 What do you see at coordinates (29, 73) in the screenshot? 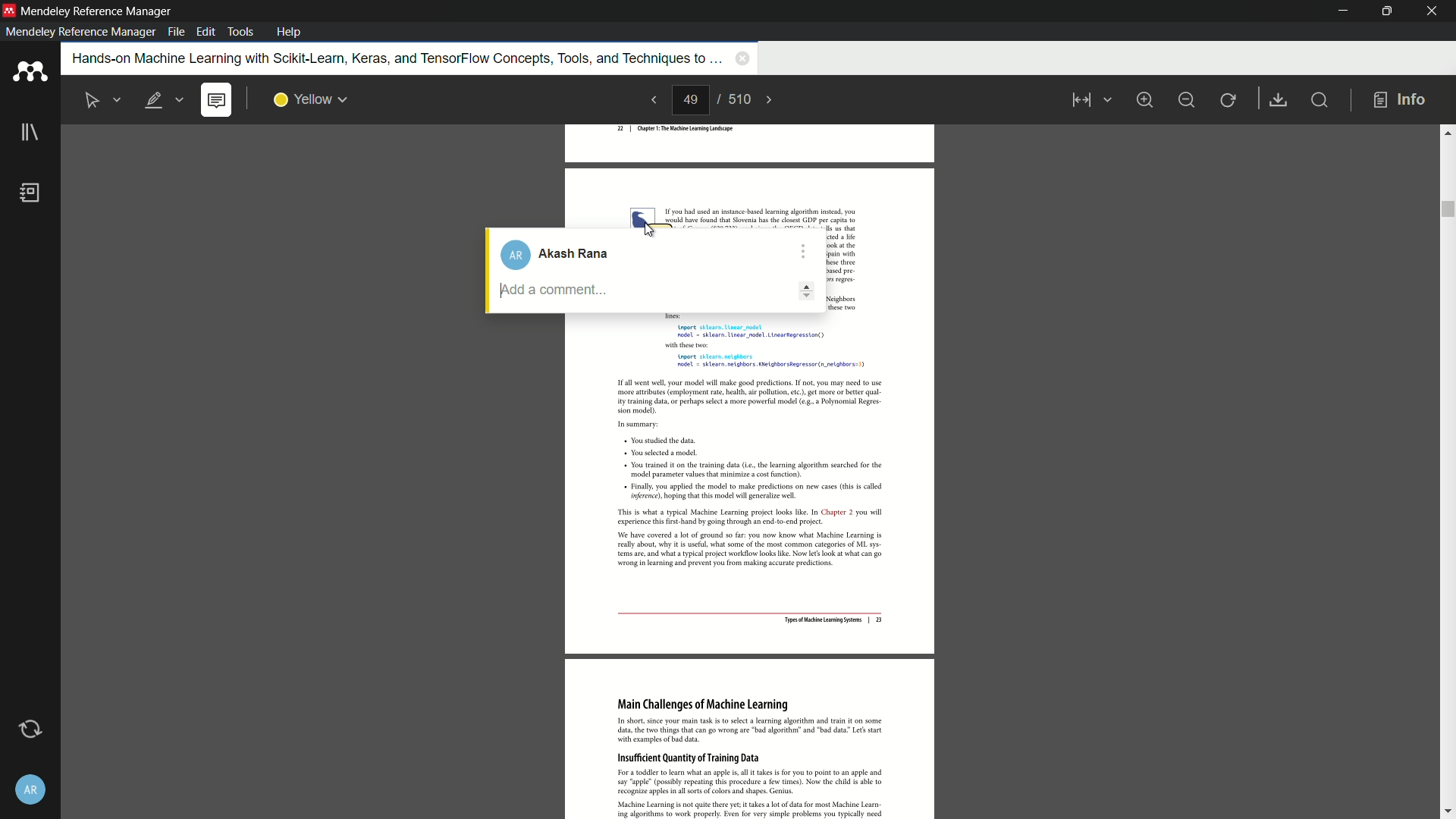
I see `app icon` at bounding box center [29, 73].